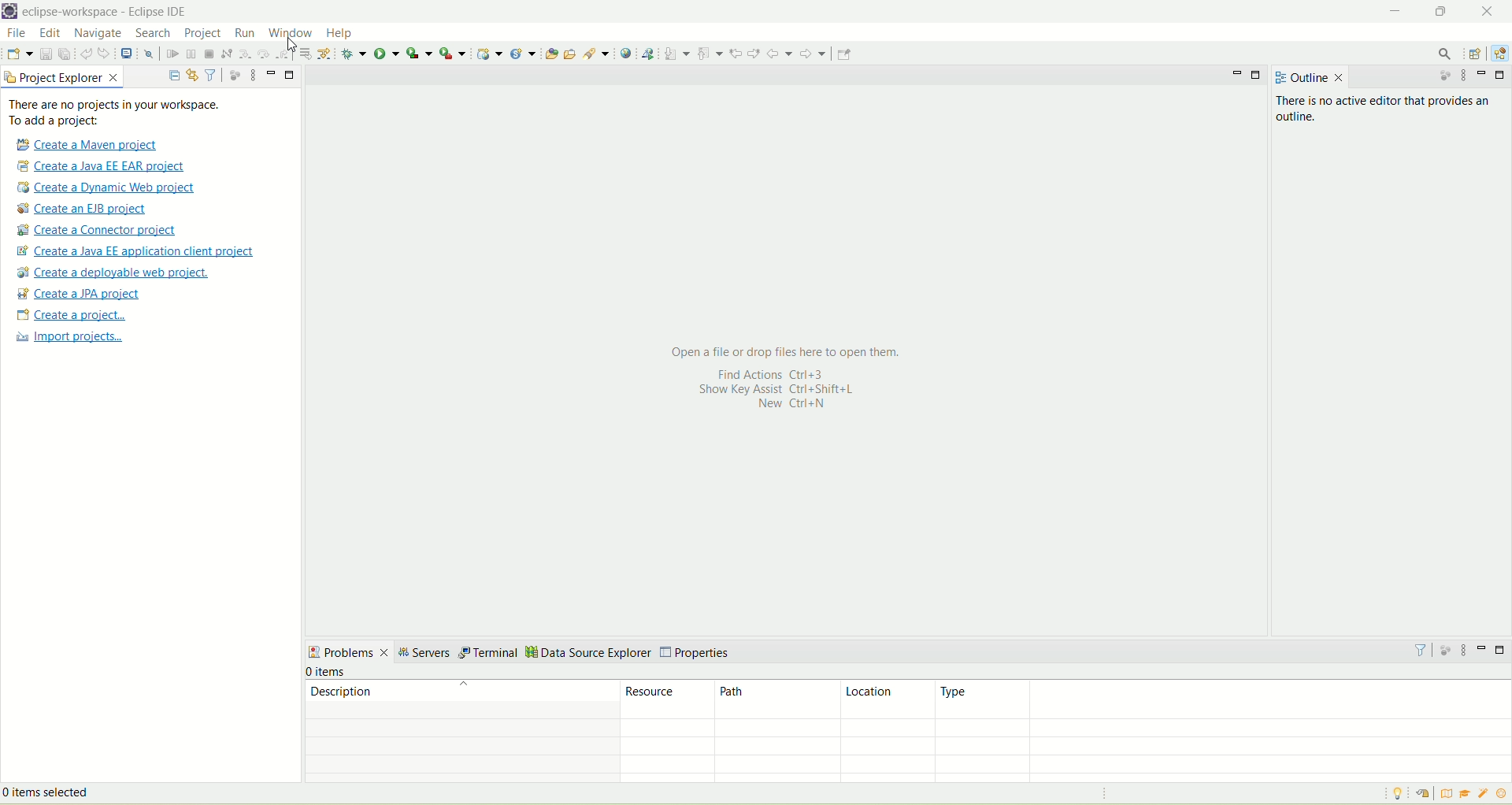 This screenshot has width=1512, height=805. What do you see at coordinates (1258, 74) in the screenshot?
I see `maximize` at bounding box center [1258, 74].